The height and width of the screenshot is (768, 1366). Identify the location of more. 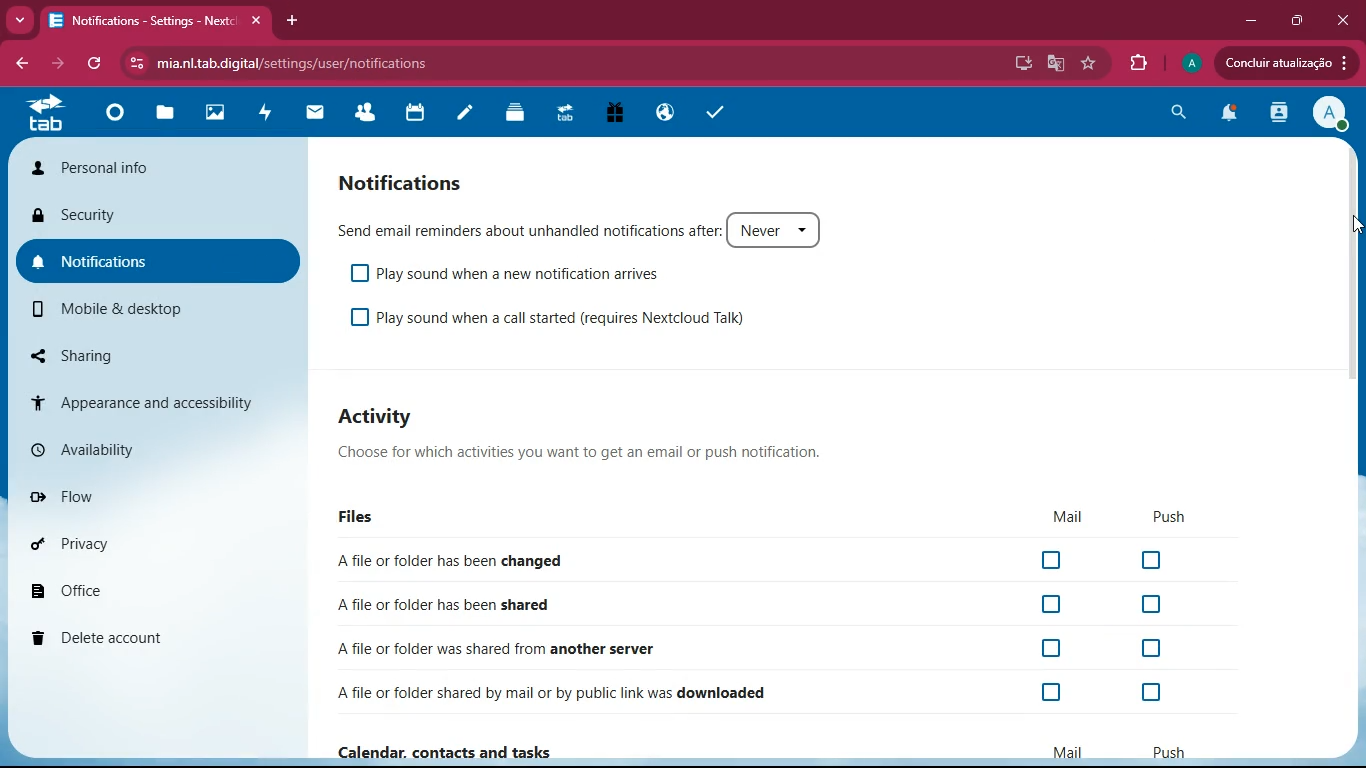
(20, 19).